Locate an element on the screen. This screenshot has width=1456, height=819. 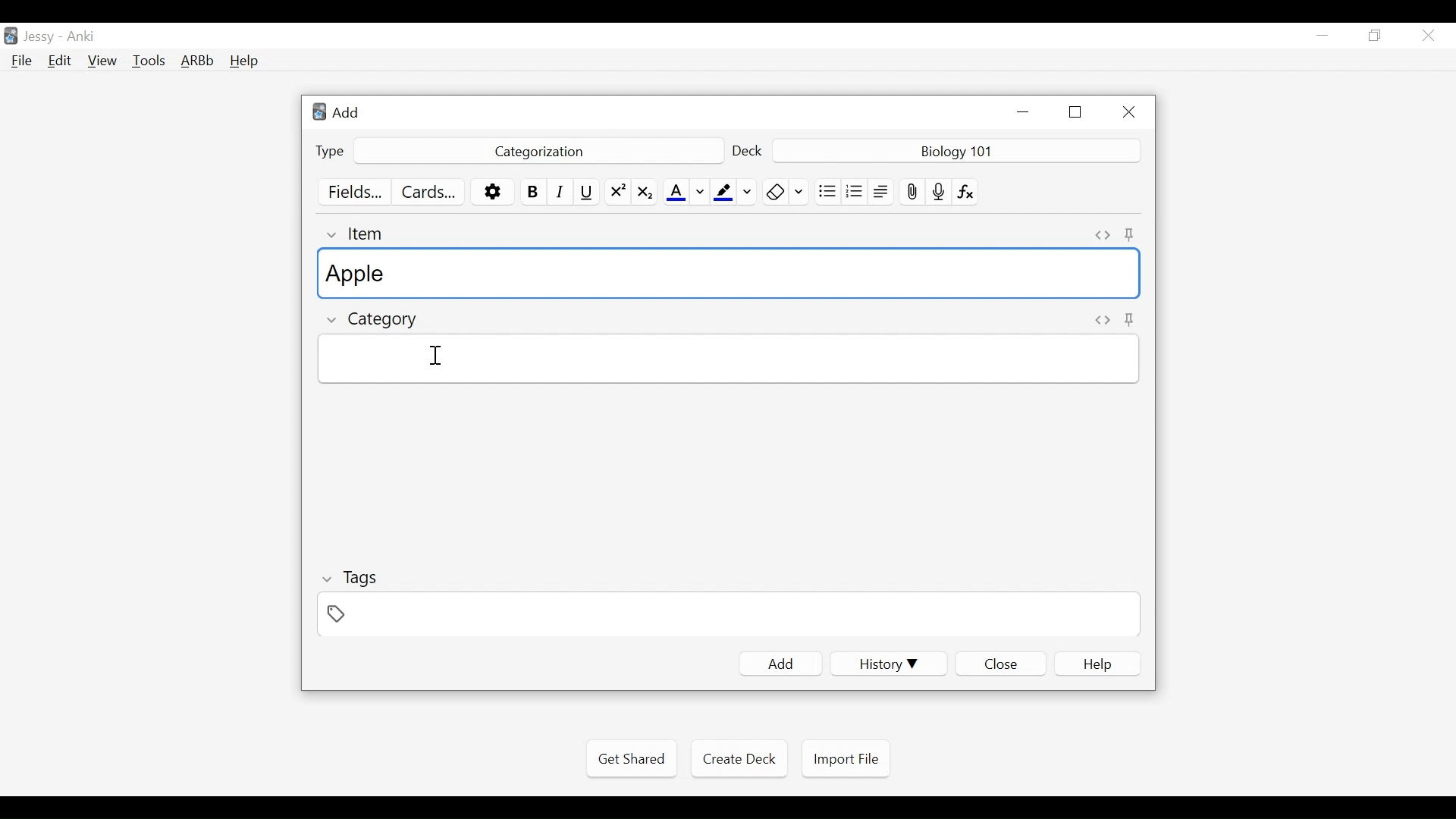
Type is located at coordinates (330, 152).